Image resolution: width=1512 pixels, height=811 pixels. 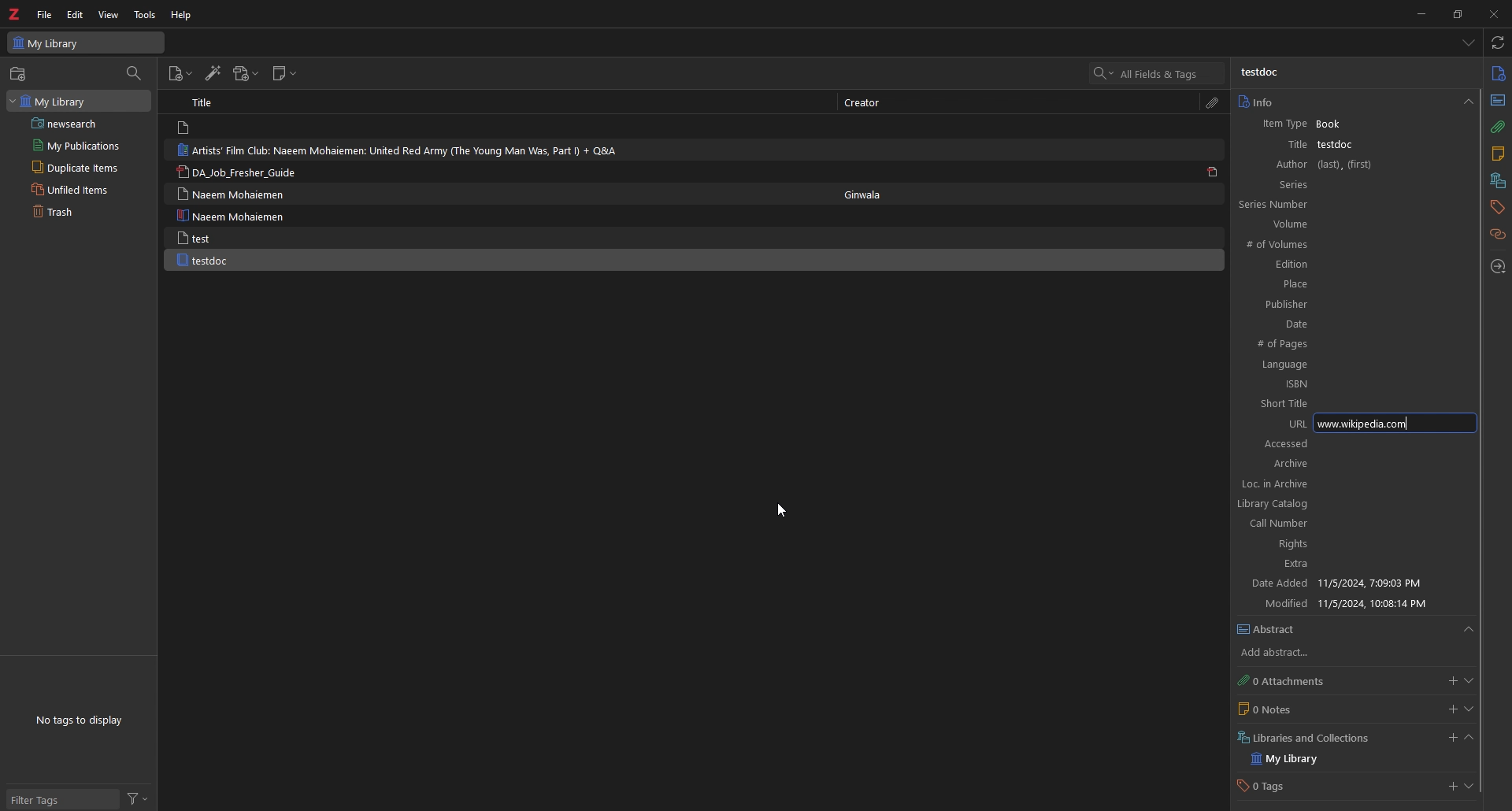 I want to click on libraries and collection, so click(x=1497, y=180).